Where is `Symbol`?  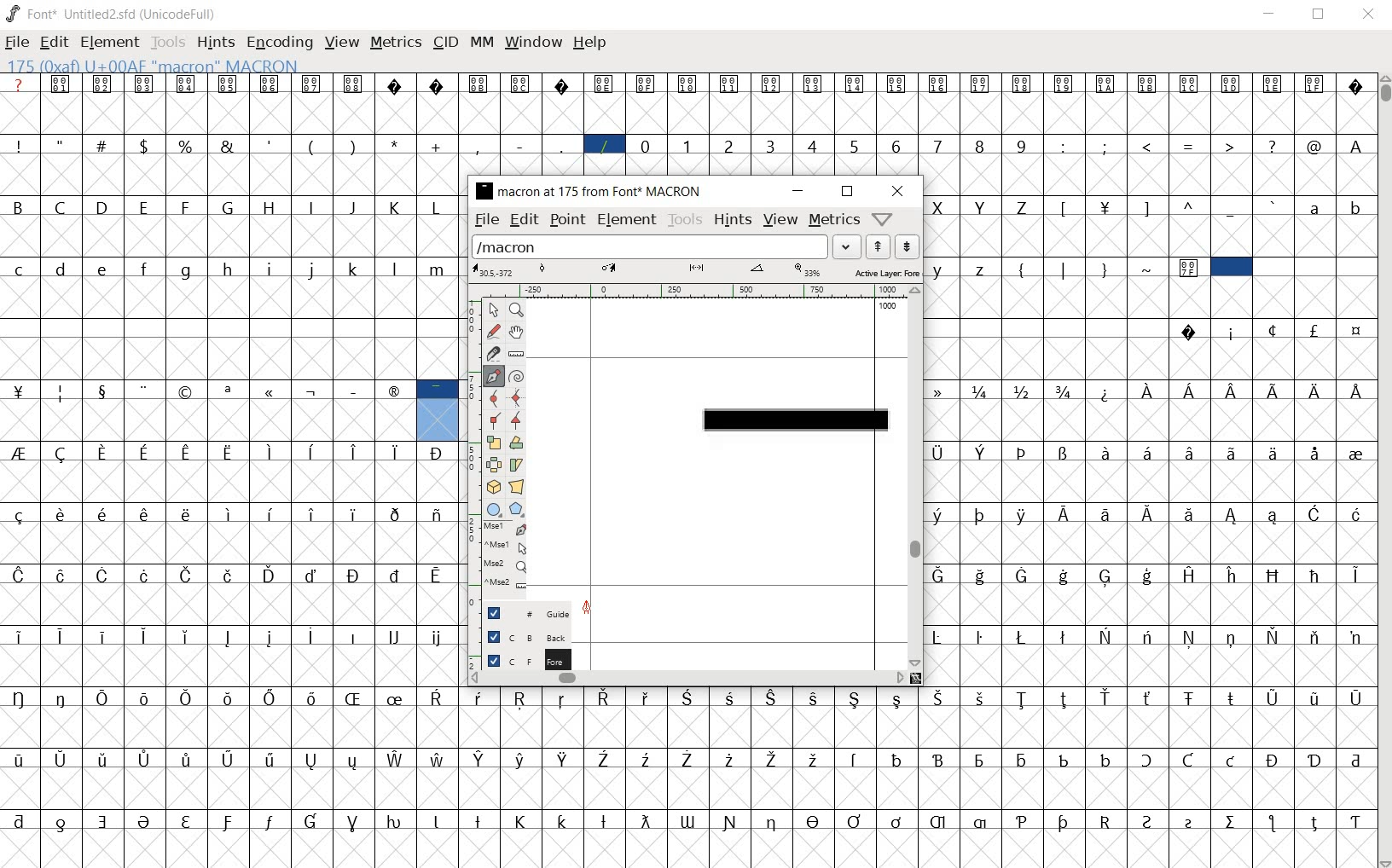
Symbol is located at coordinates (1230, 821).